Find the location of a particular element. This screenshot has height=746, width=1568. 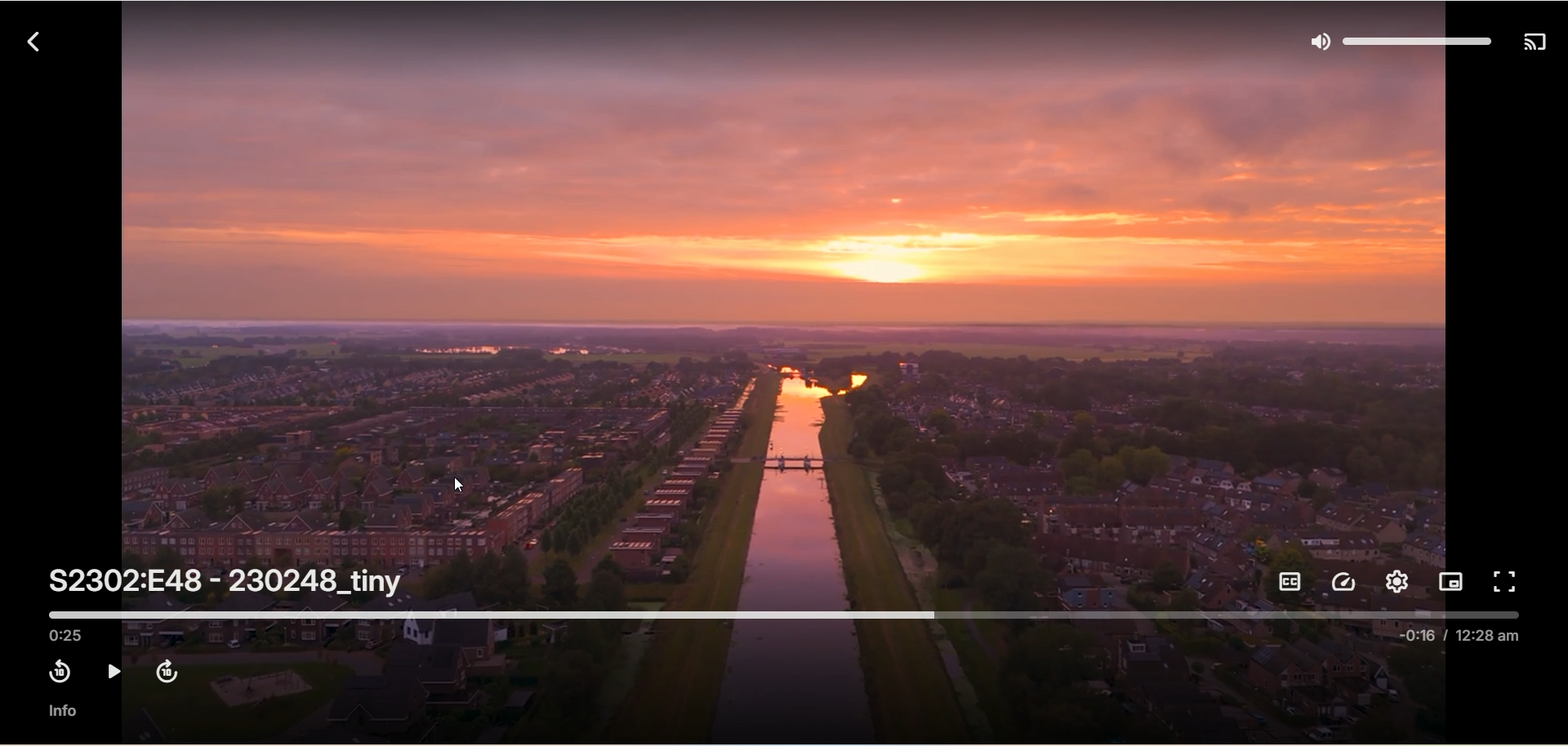

cursor is located at coordinates (460, 484).